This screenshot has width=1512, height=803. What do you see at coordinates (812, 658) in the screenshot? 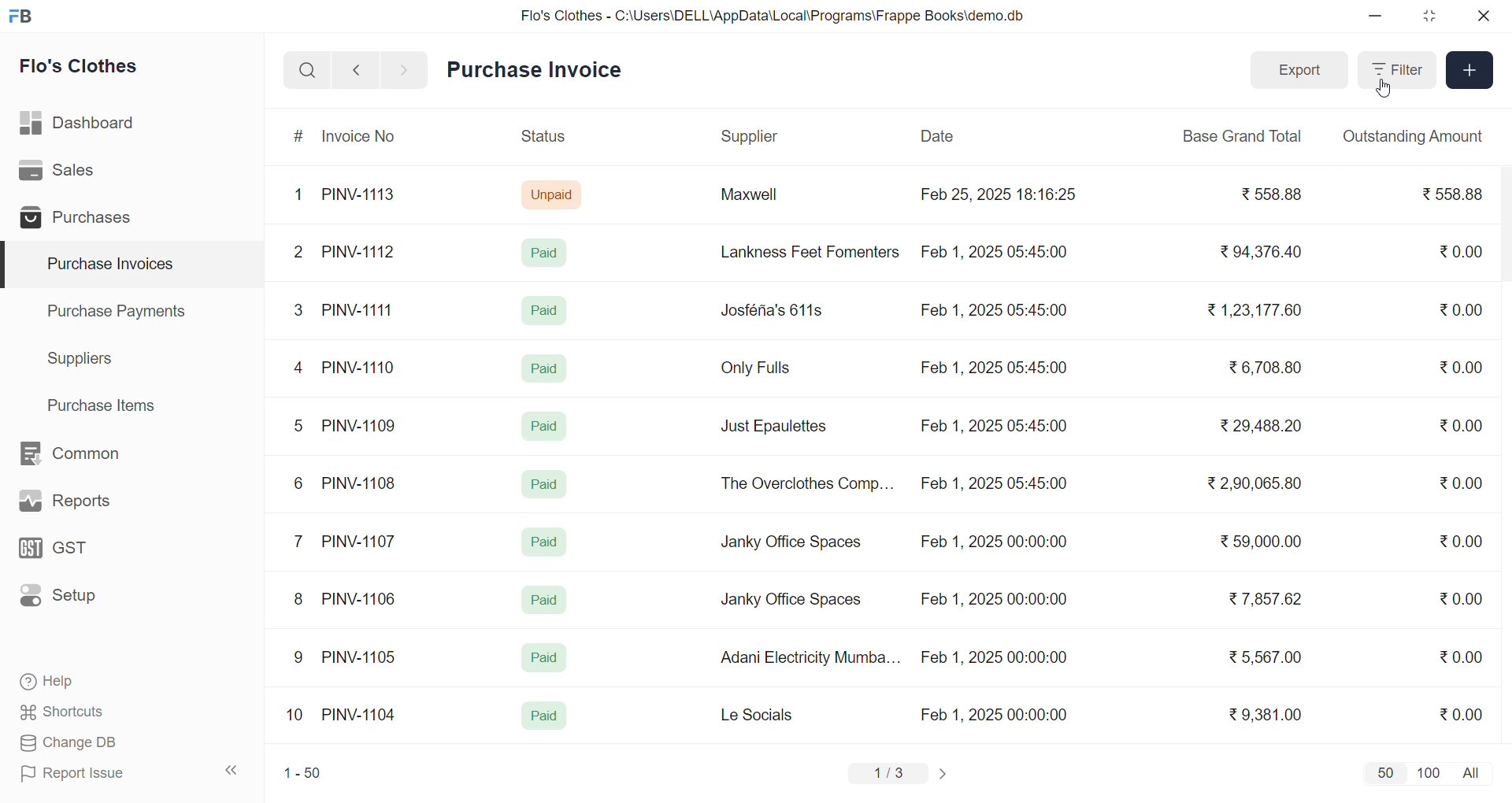
I see `Adani Electricity Mumba...` at bounding box center [812, 658].